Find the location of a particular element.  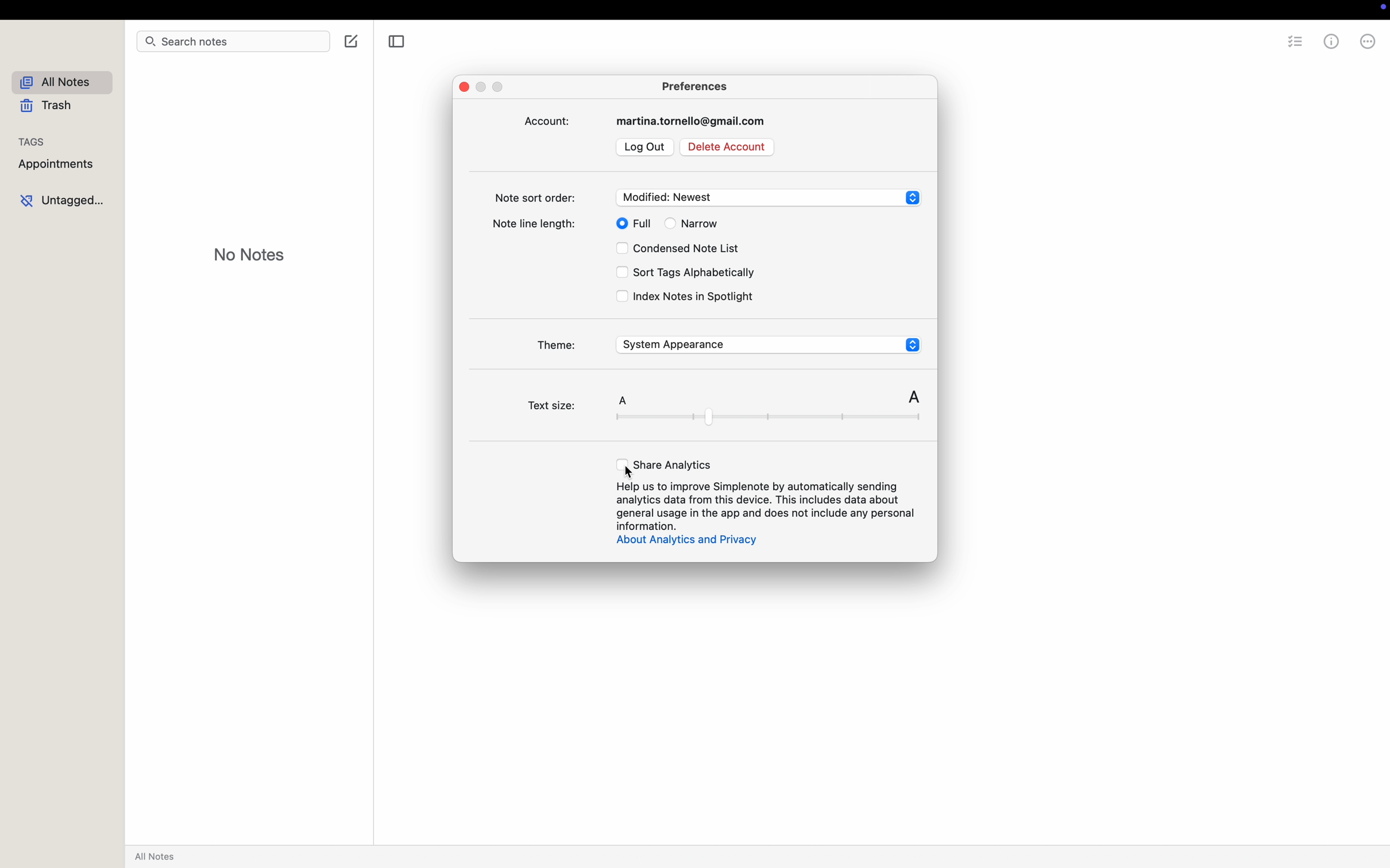

checklist is located at coordinates (1293, 44).